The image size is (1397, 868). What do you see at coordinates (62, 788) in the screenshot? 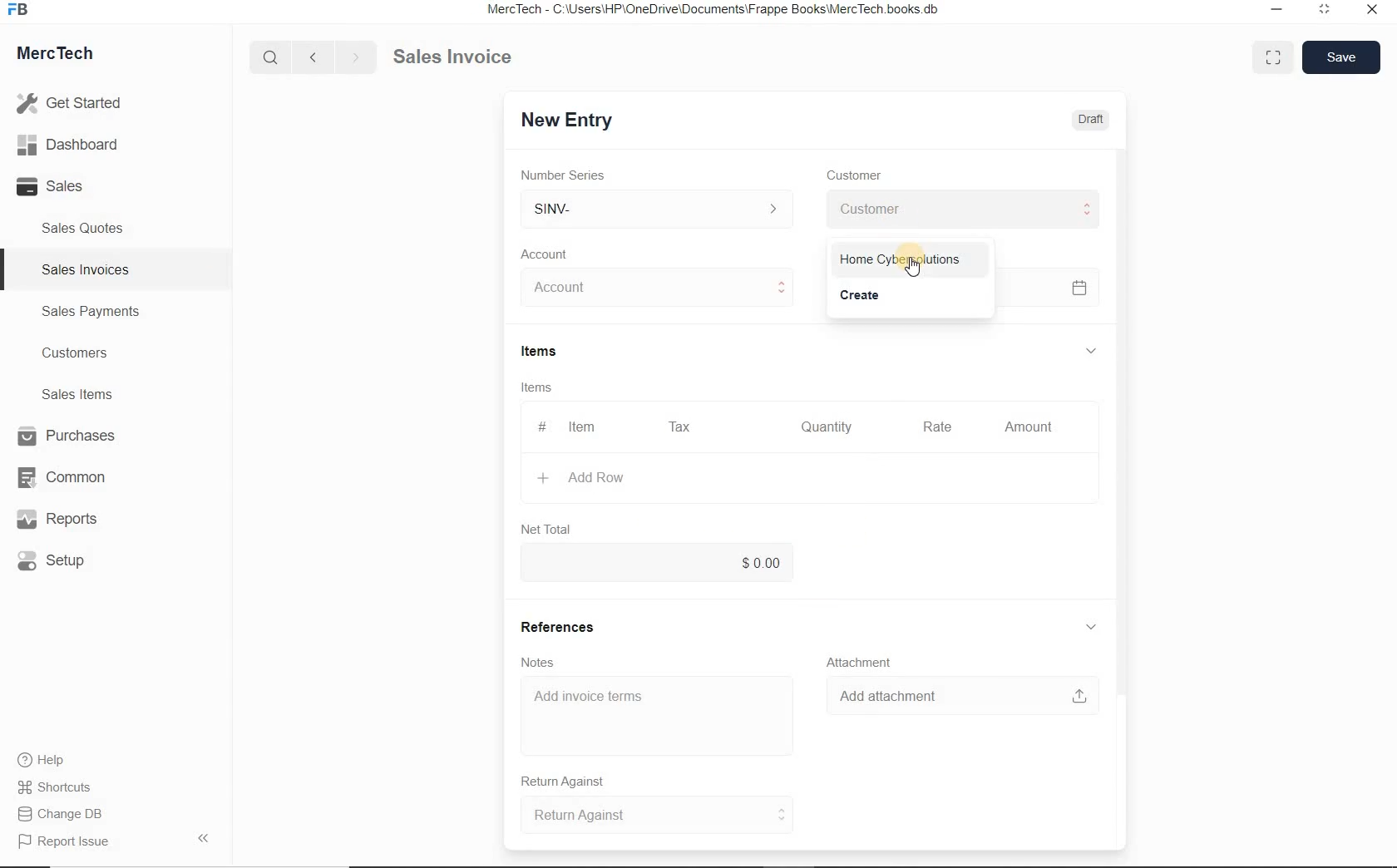
I see `Shortcuts` at bounding box center [62, 788].